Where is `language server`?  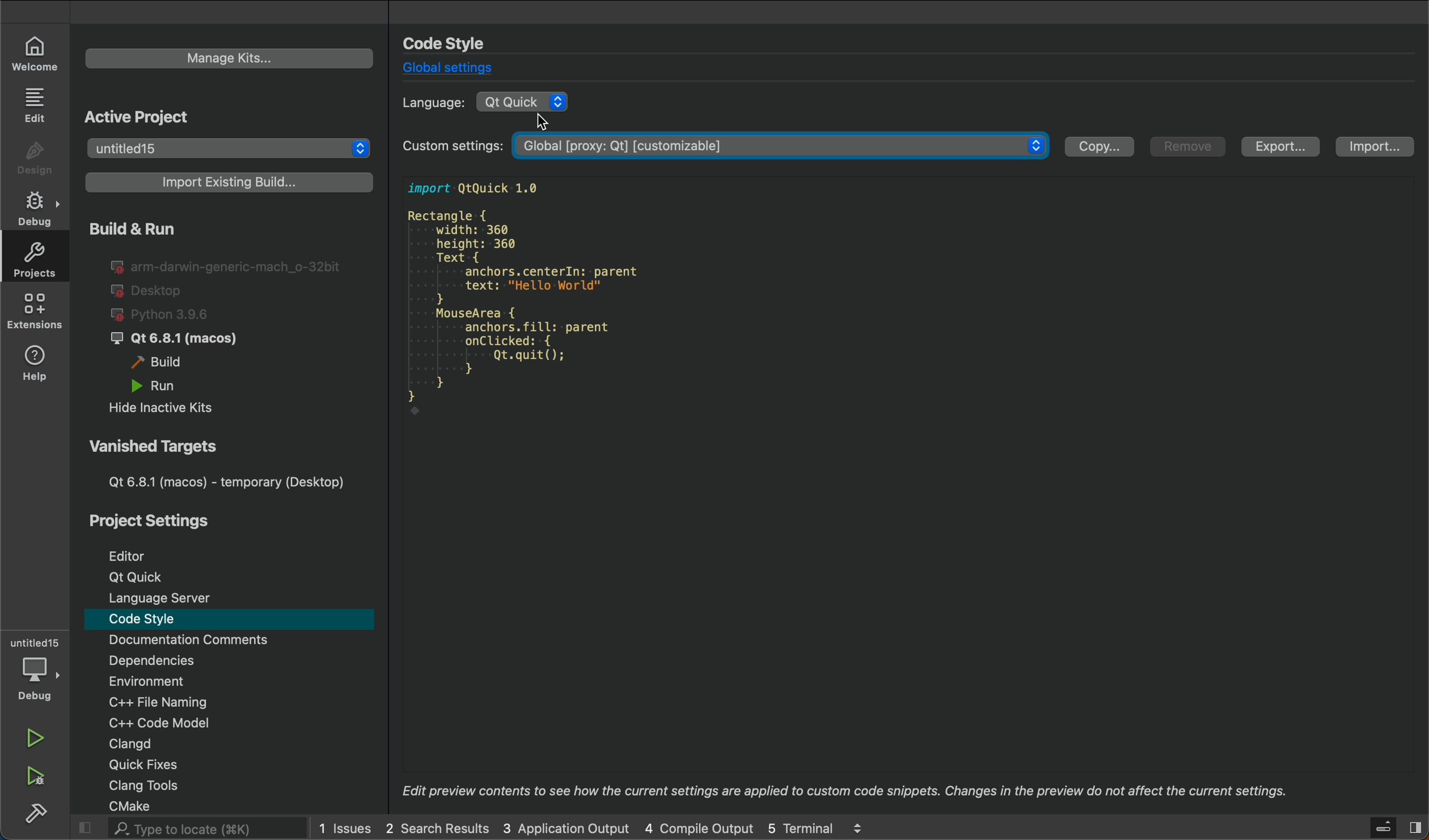
language server is located at coordinates (166, 599).